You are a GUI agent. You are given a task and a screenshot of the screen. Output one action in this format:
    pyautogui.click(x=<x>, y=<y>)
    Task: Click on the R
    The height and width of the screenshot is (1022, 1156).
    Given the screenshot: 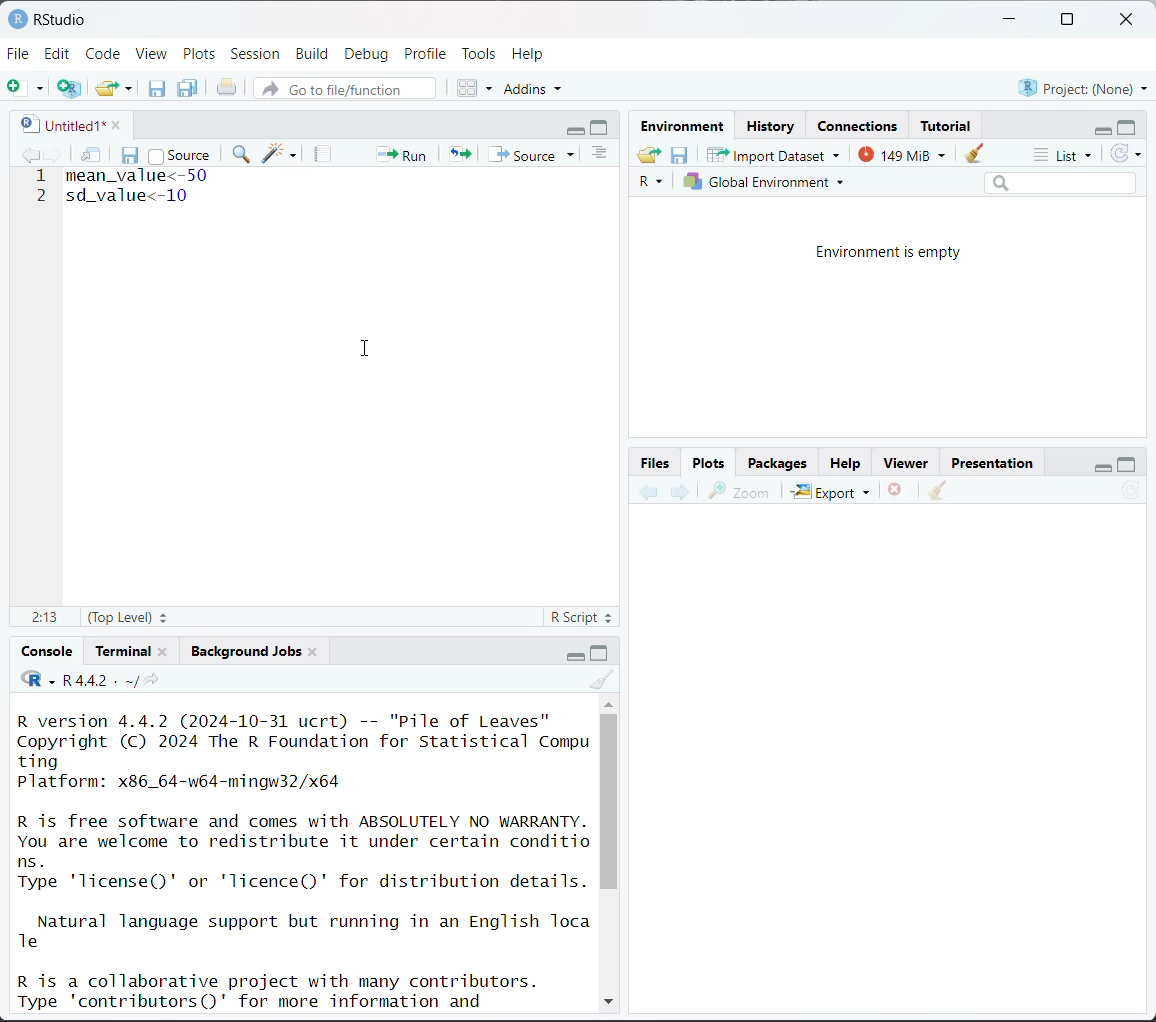 What is the action you would take?
    pyautogui.click(x=654, y=183)
    